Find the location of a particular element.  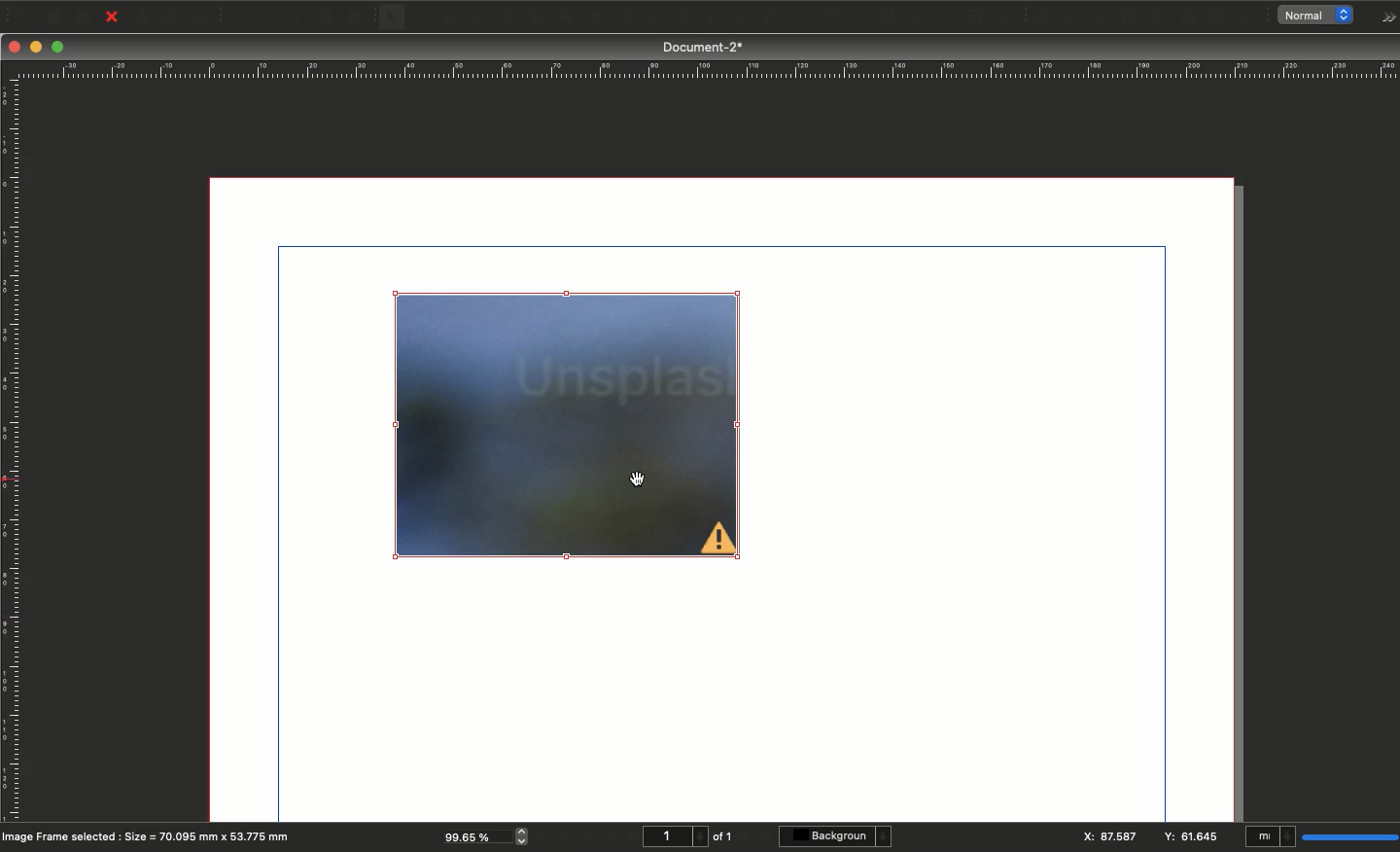

Copy item properties is located at coordinates (972, 18).